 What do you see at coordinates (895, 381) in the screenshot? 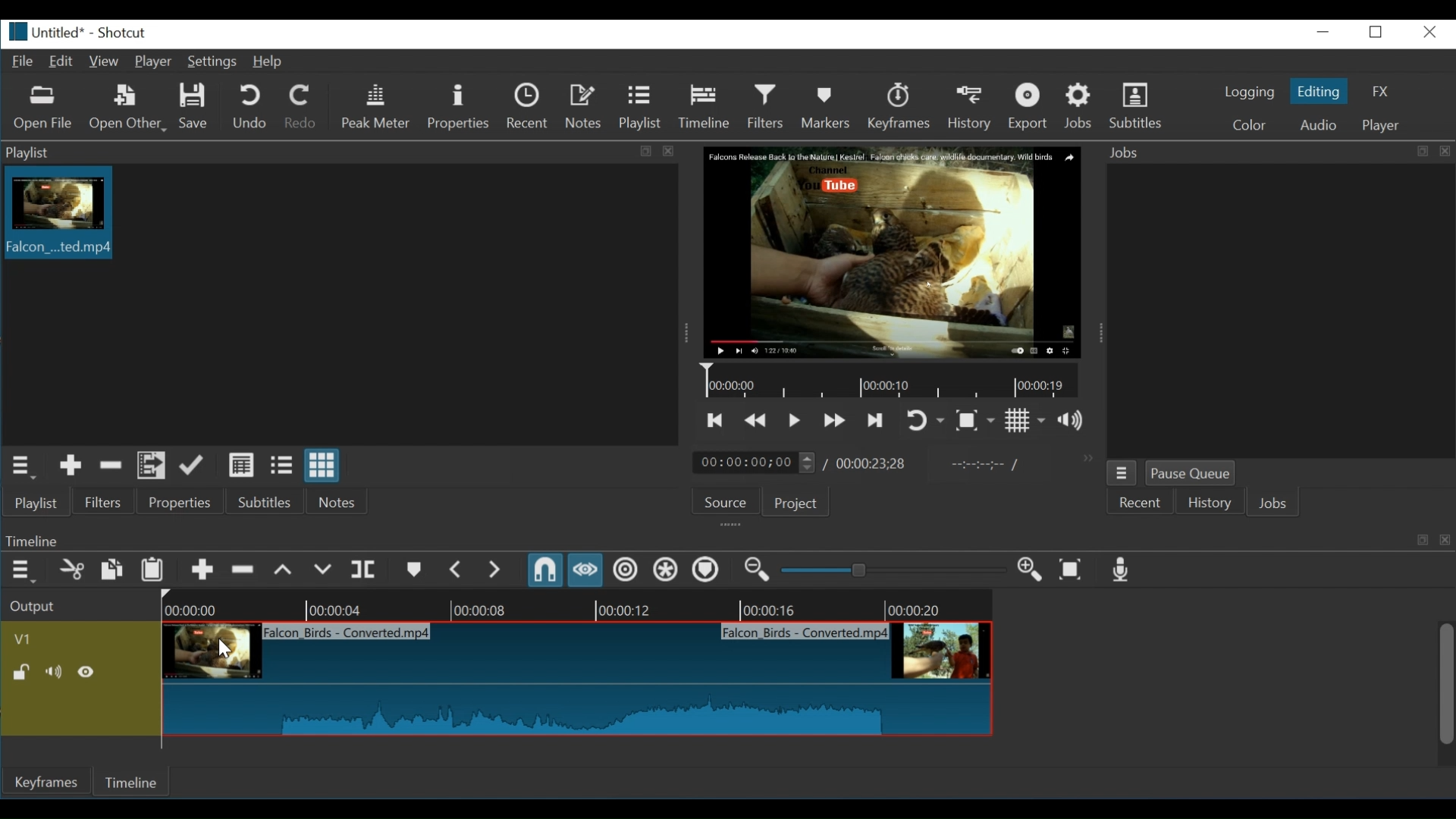
I see `Timeline` at bounding box center [895, 381].